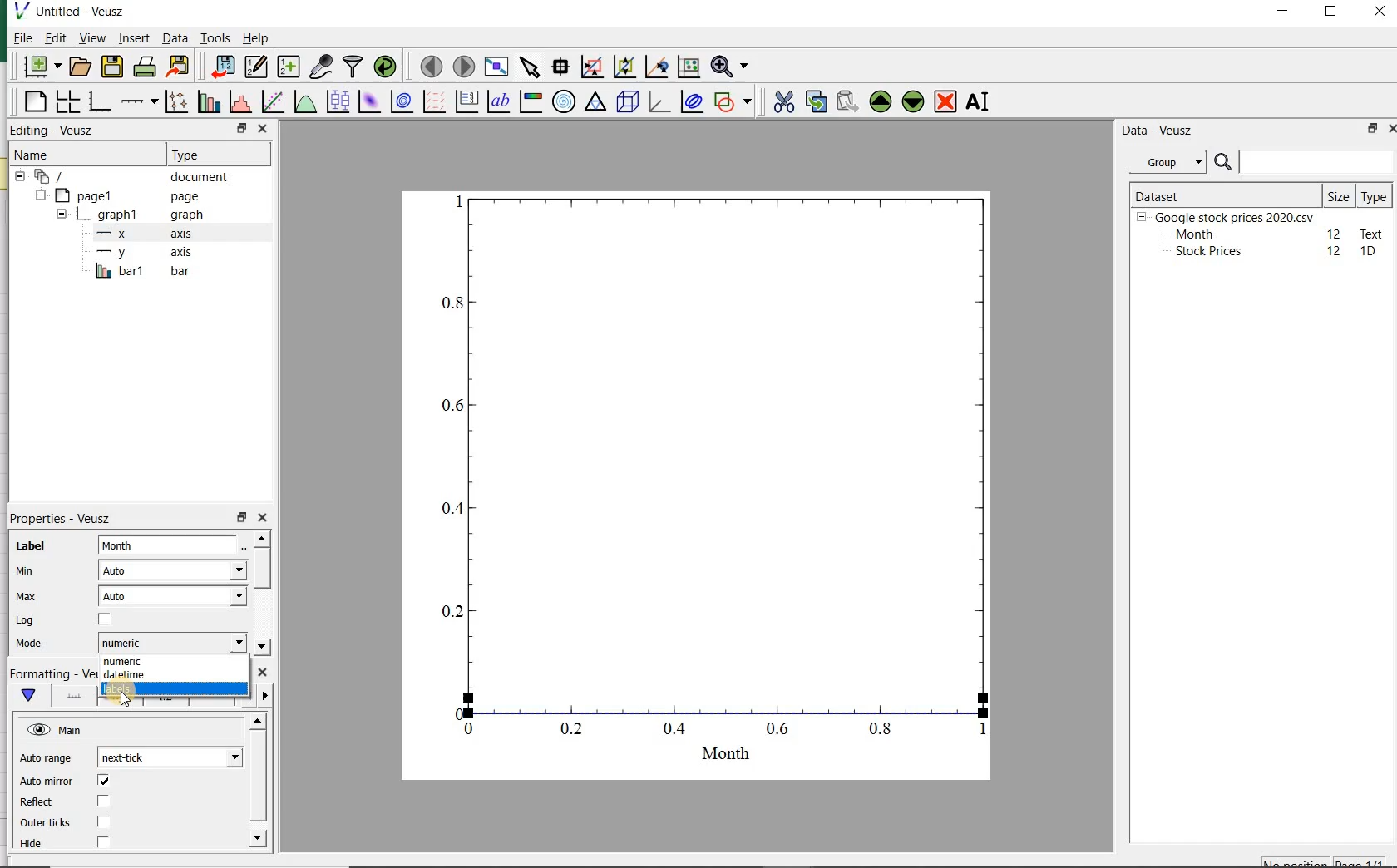 This screenshot has width=1397, height=868. What do you see at coordinates (1193, 234) in the screenshot?
I see `Month` at bounding box center [1193, 234].